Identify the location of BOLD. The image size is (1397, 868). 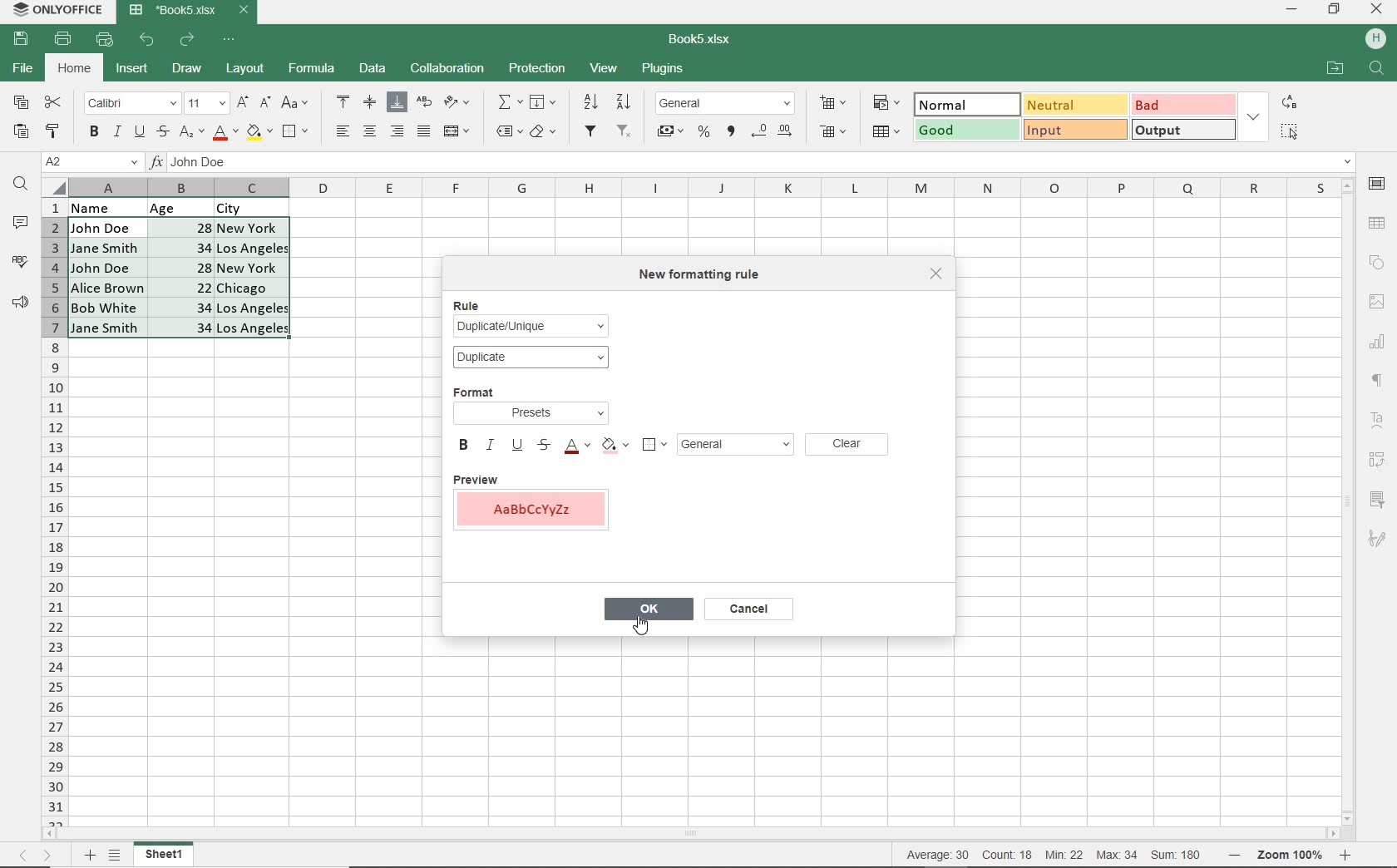
(93, 133).